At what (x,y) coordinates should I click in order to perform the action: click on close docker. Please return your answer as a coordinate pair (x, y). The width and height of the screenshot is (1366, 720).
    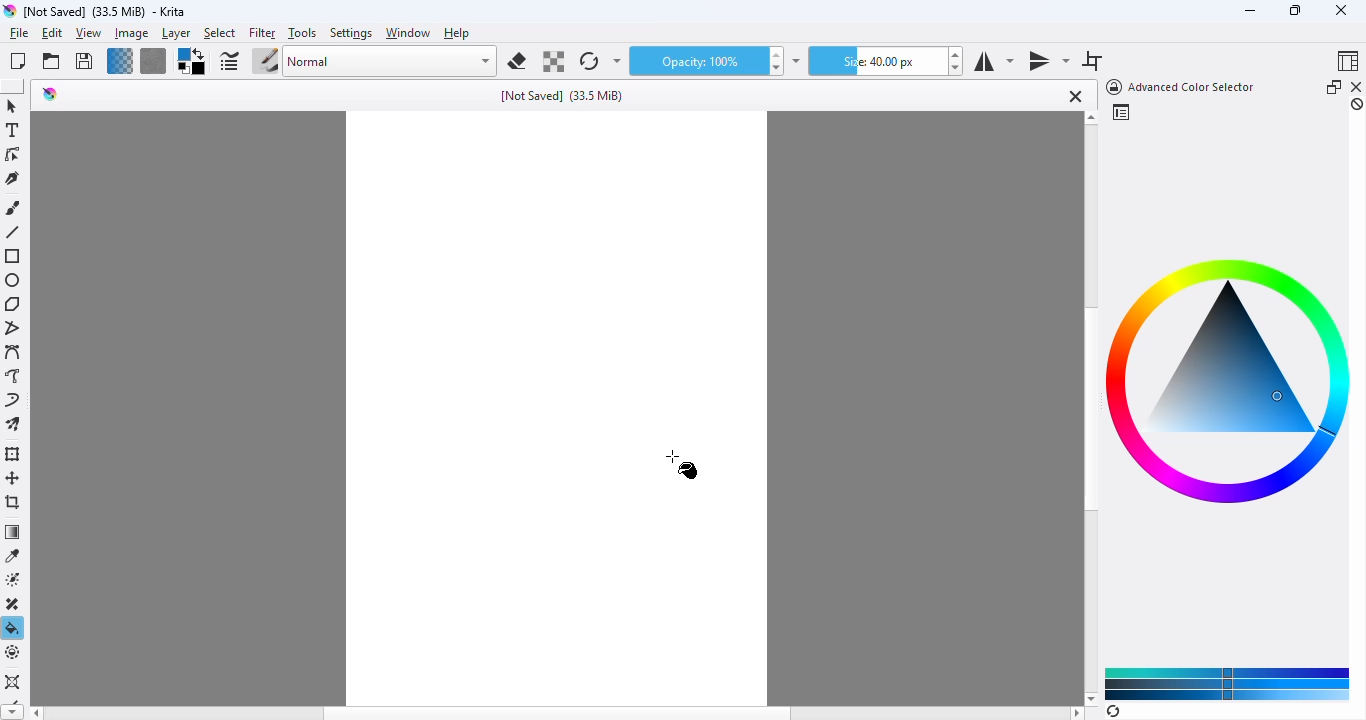
    Looking at the image, I should click on (1357, 86).